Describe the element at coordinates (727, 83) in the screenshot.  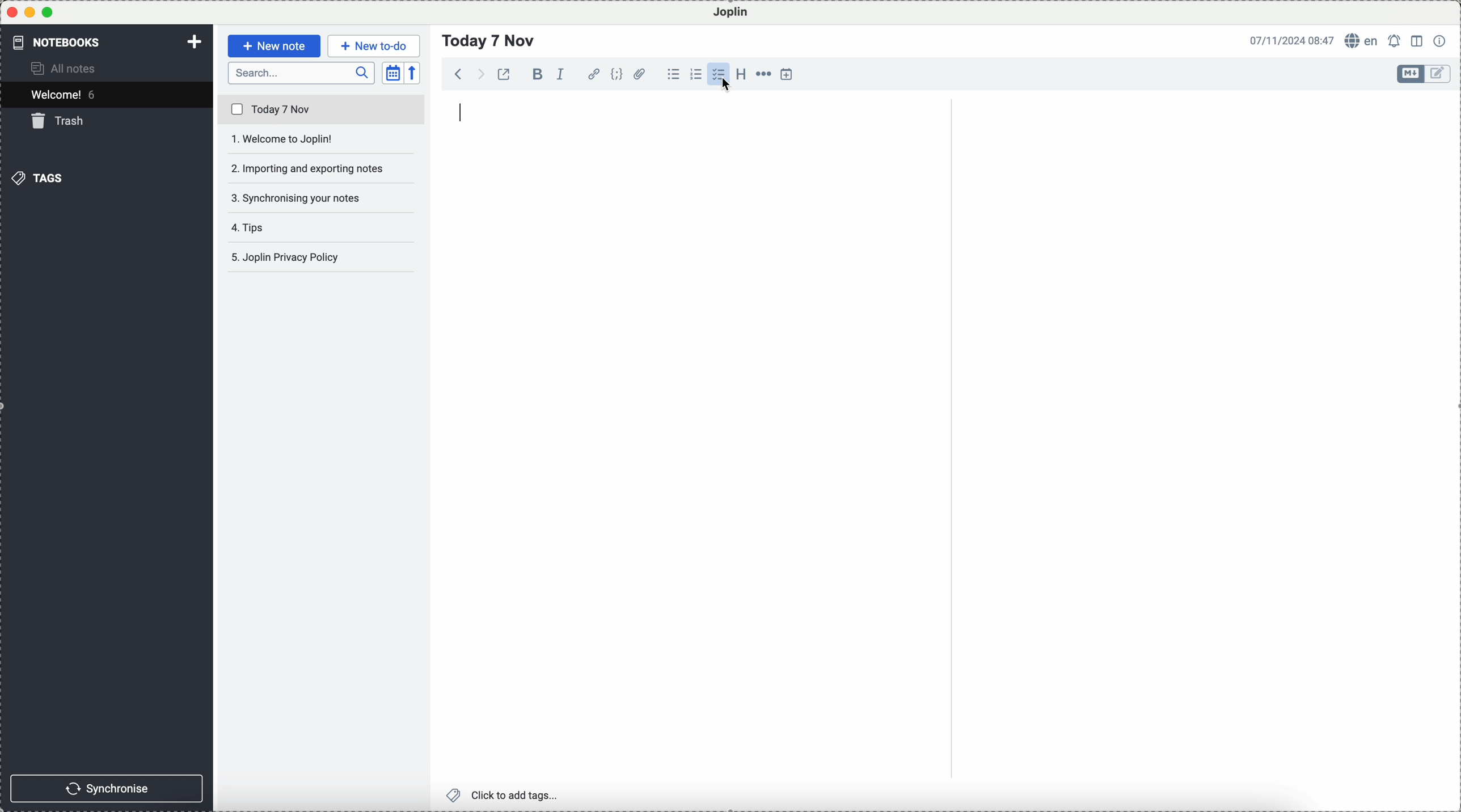
I see `cursor` at that location.